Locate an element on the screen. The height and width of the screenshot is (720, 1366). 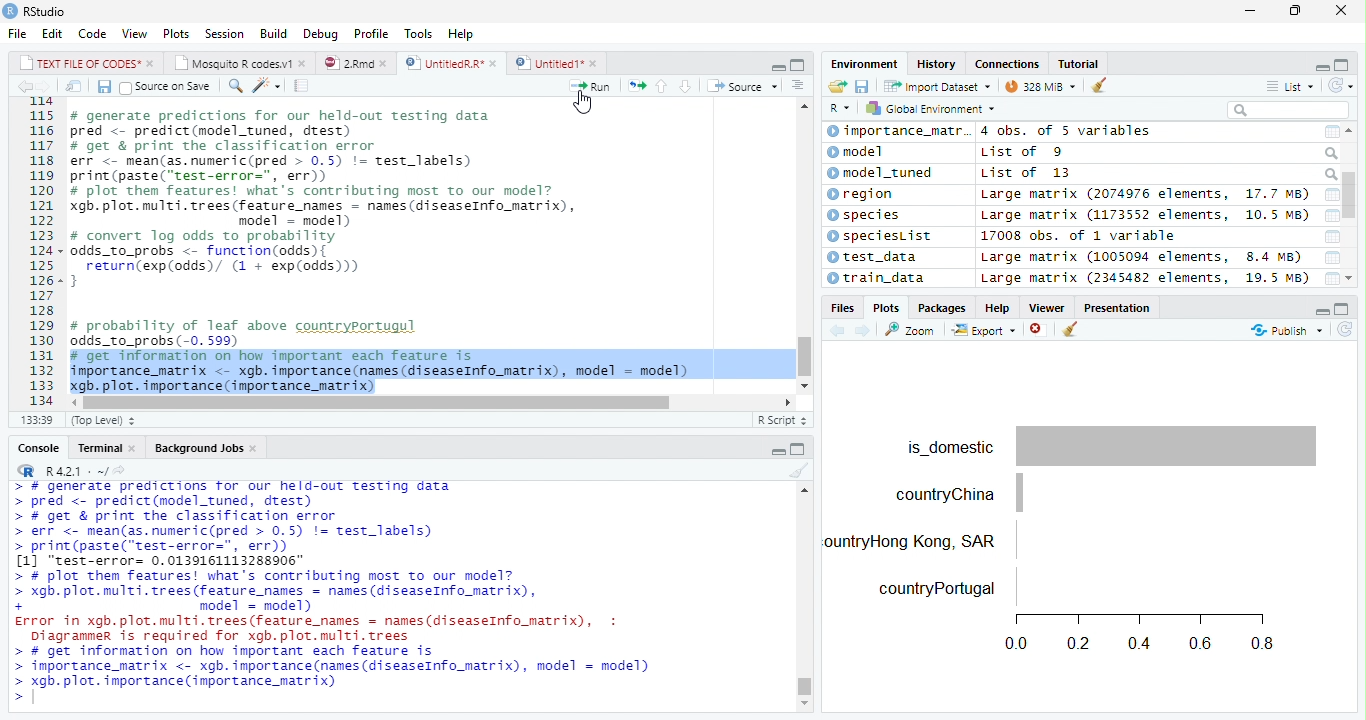
Mosquito R codes1 is located at coordinates (241, 63).